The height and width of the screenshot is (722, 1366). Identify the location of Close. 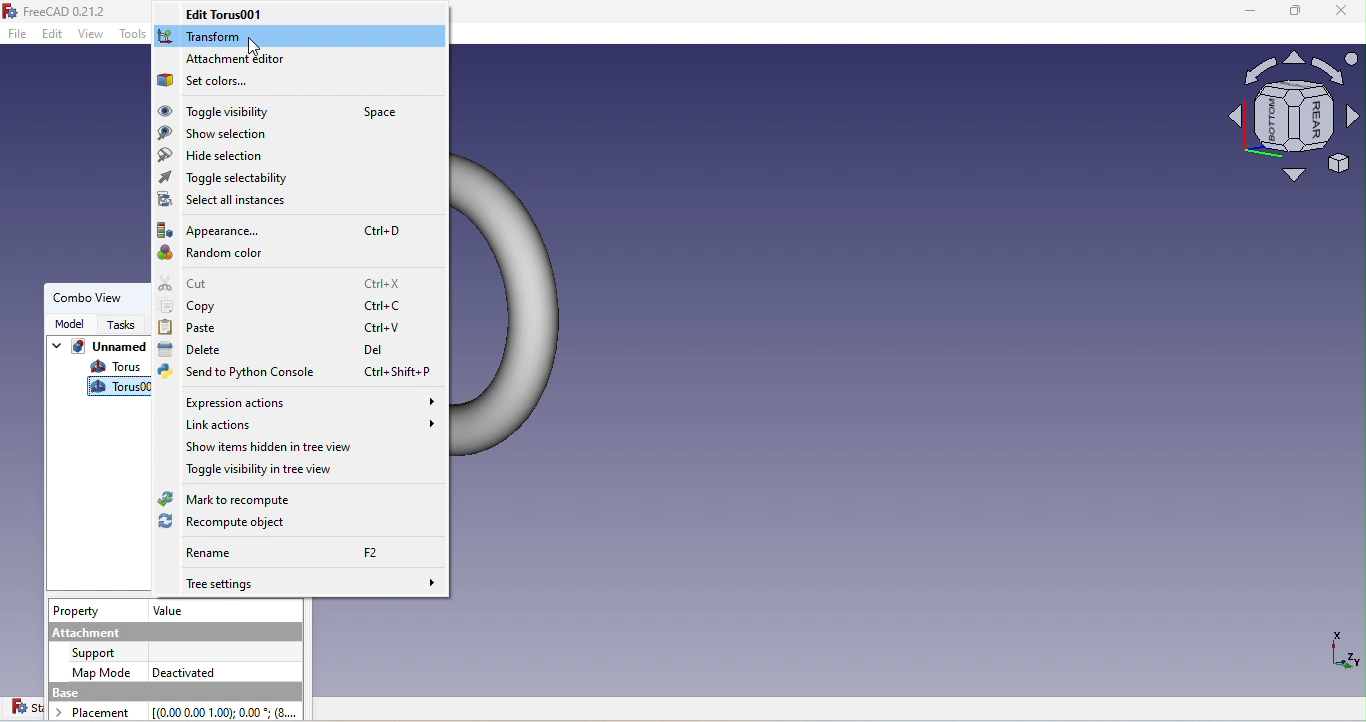
(255, 48).